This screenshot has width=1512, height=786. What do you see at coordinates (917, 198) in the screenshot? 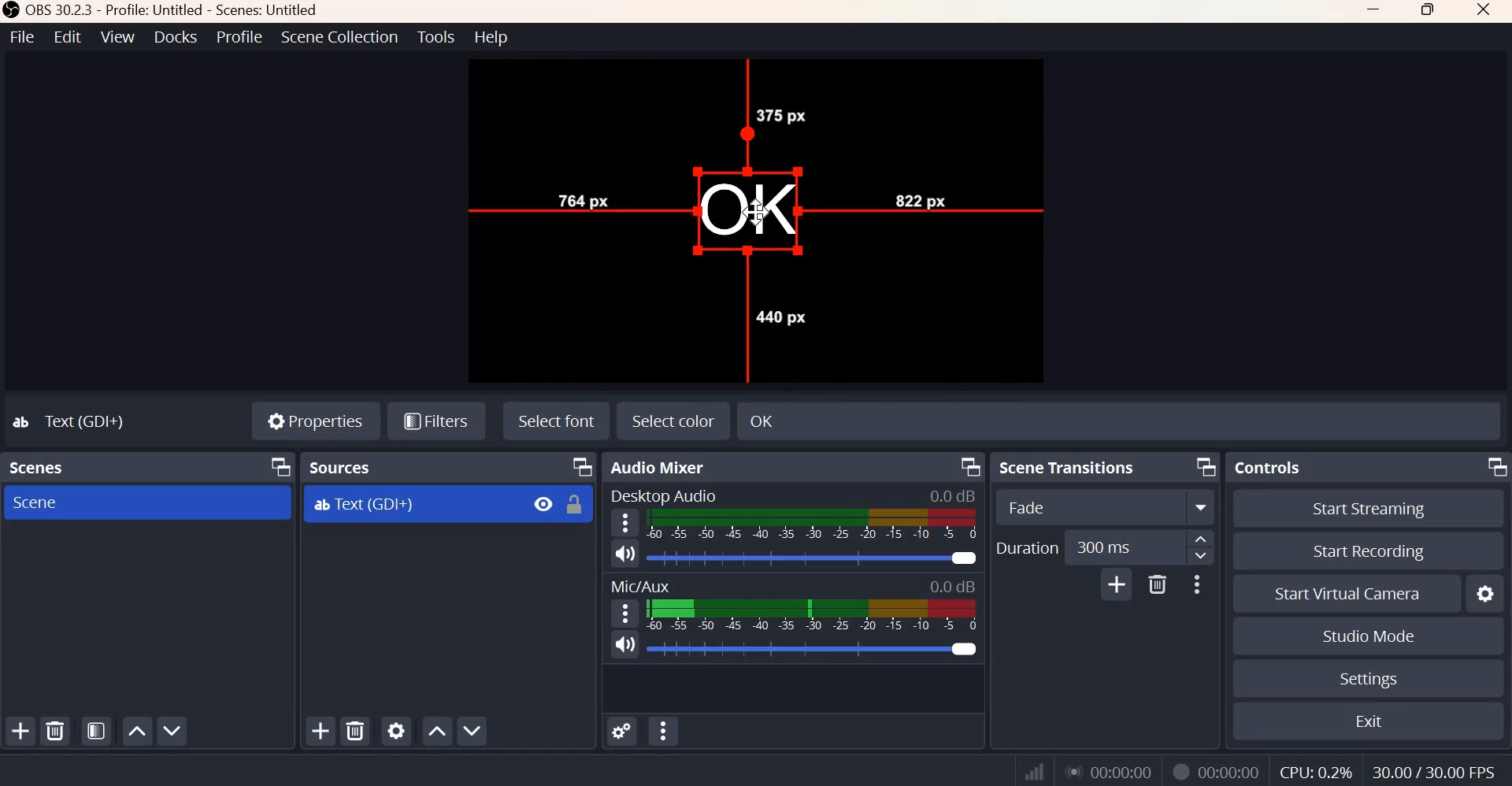
I see `822 px` at bounding box center [917, 198].